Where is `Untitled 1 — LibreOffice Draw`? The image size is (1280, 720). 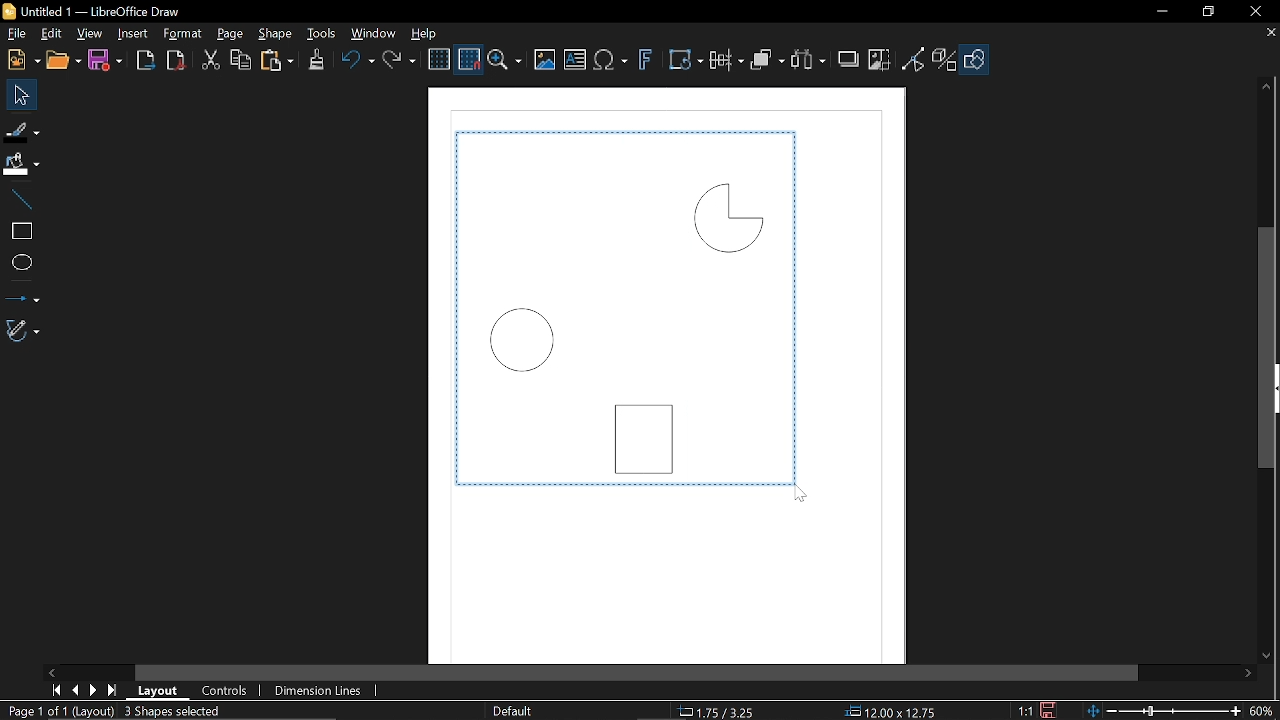
Untitled 1 — LibreOffice Draw is located at coordinates (111, 11).